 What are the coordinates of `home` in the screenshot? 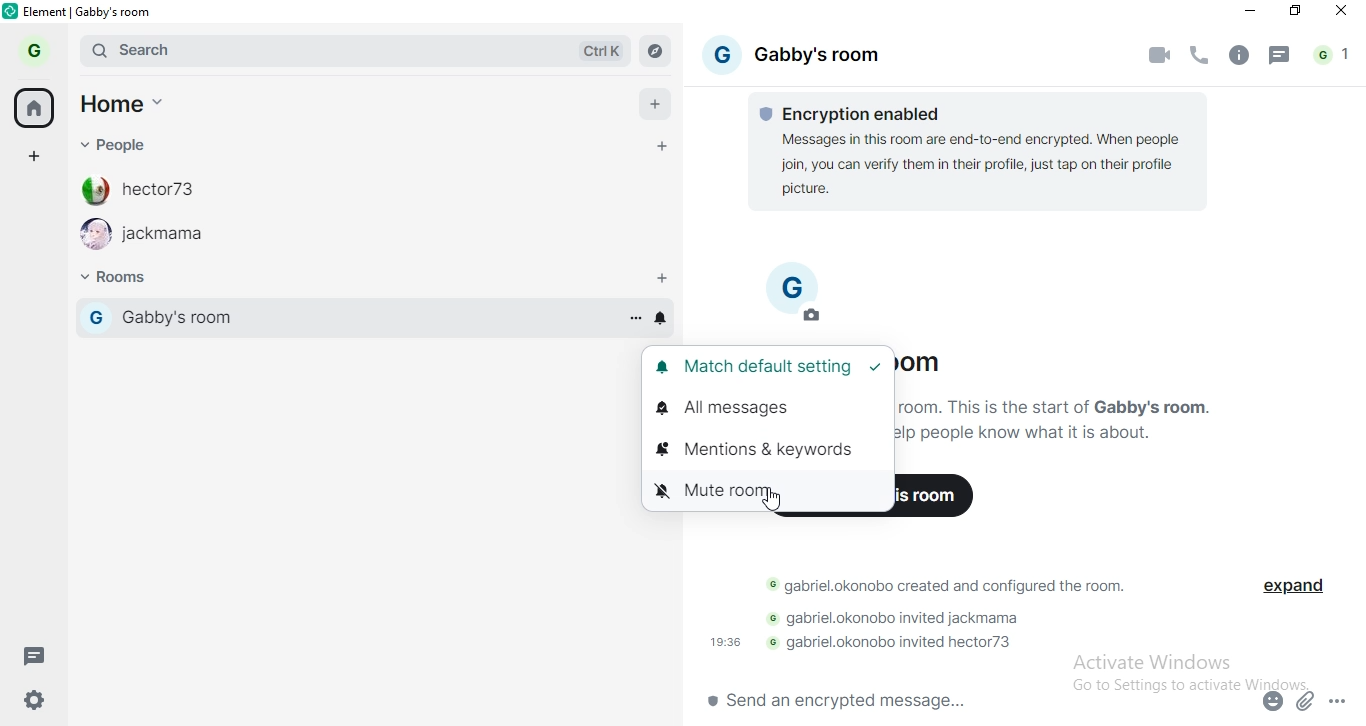 It's located at (121, 105).